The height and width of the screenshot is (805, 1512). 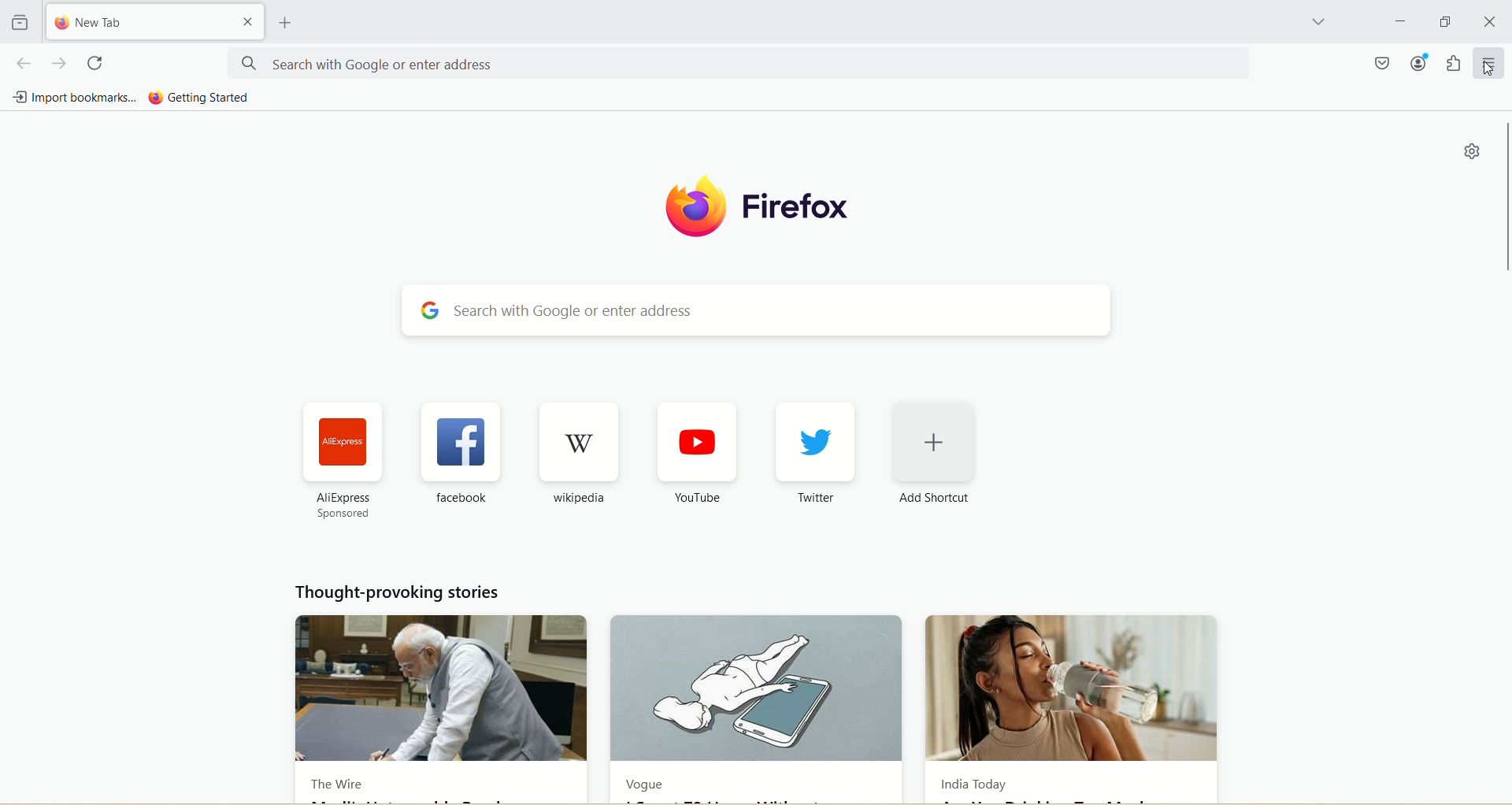 I want to click on add shortcut, so click(x=933, y=441).